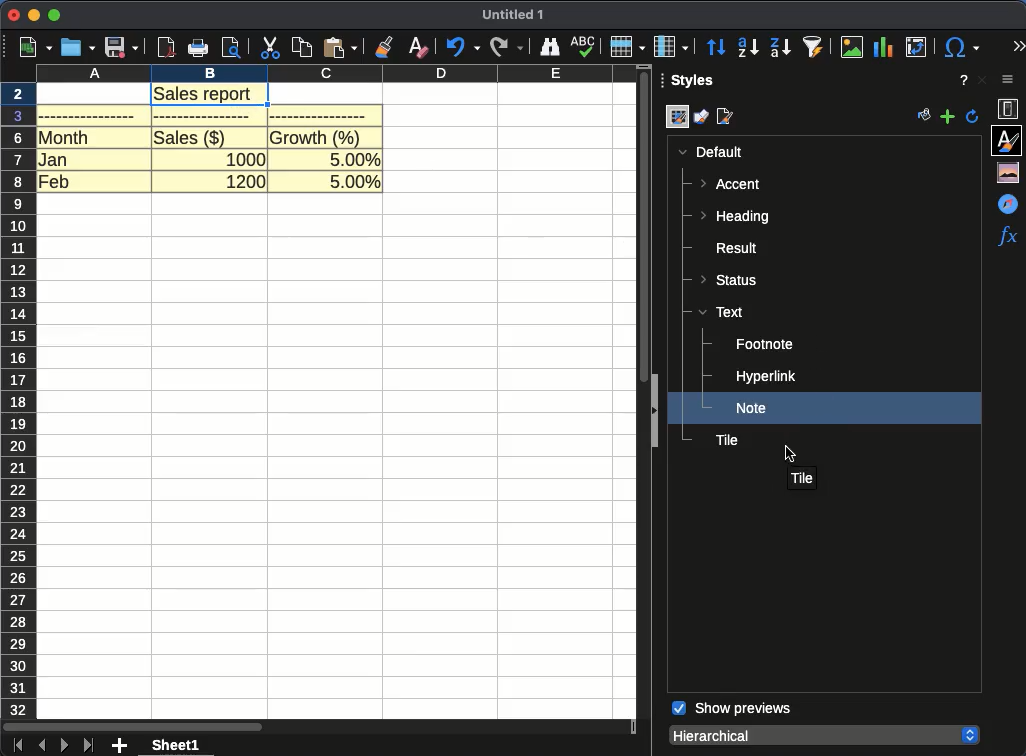 This screenshot has height=756, width=1026. Describe the element at coordinates (1011, 110) in the screenshot. I see `properties` at that location.